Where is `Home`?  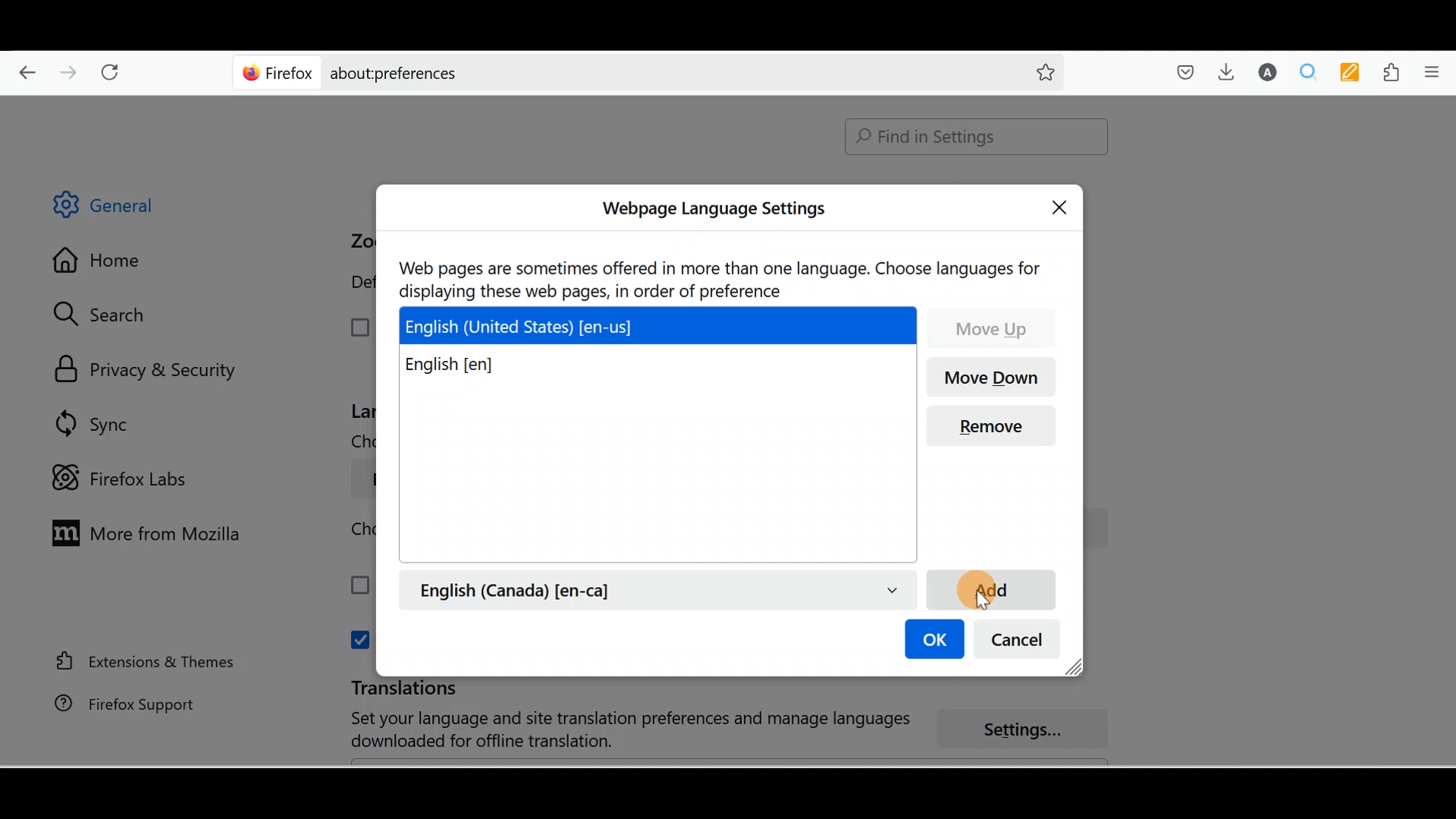 Home is located at coordinates (108, 264).